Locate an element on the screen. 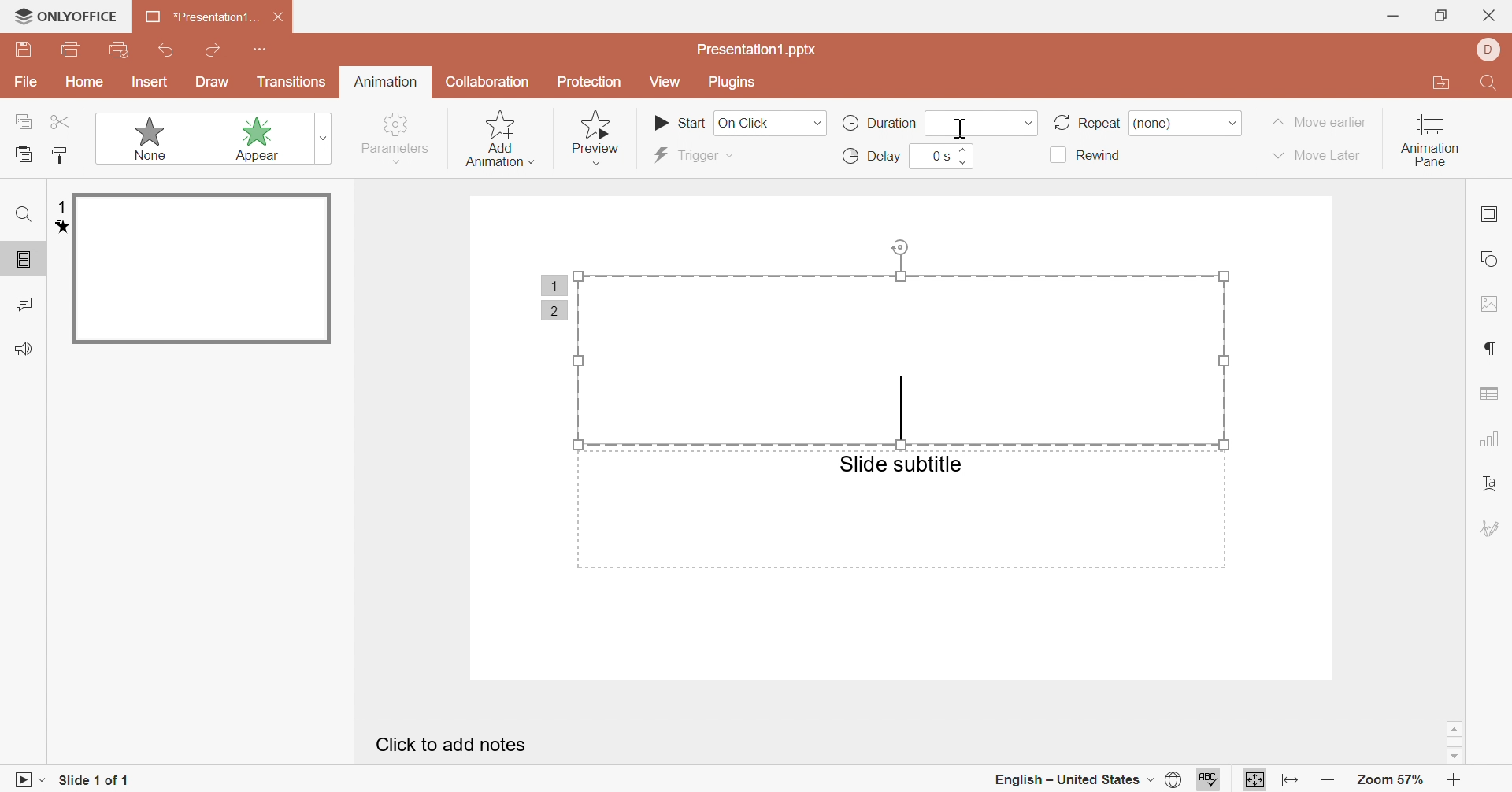 The height and width of the screenshot is (792, 1512). fit to width is located at coordinates (1289, 781).